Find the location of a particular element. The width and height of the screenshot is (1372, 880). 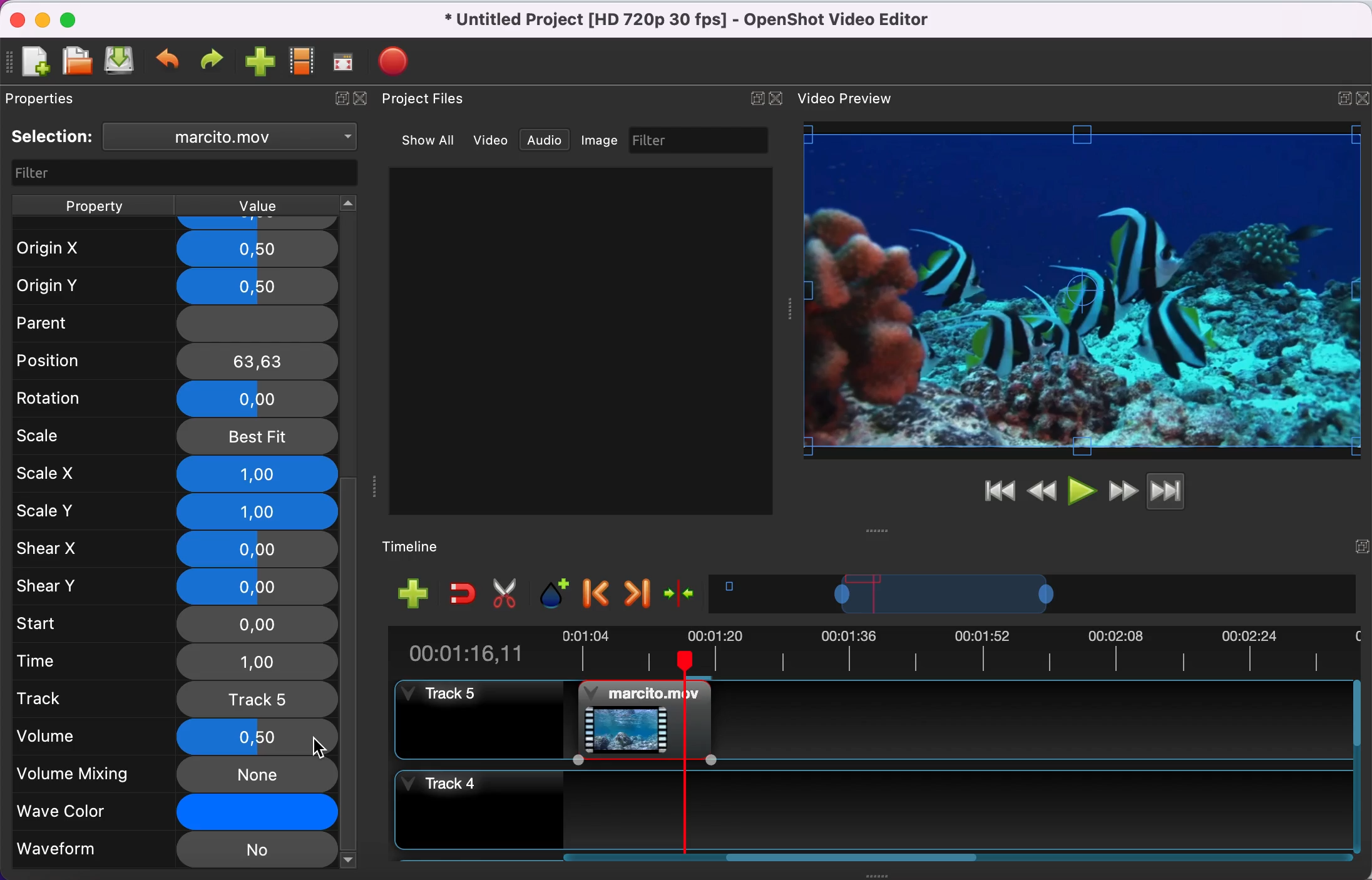

track 5 is located at coordinates (174, 698).